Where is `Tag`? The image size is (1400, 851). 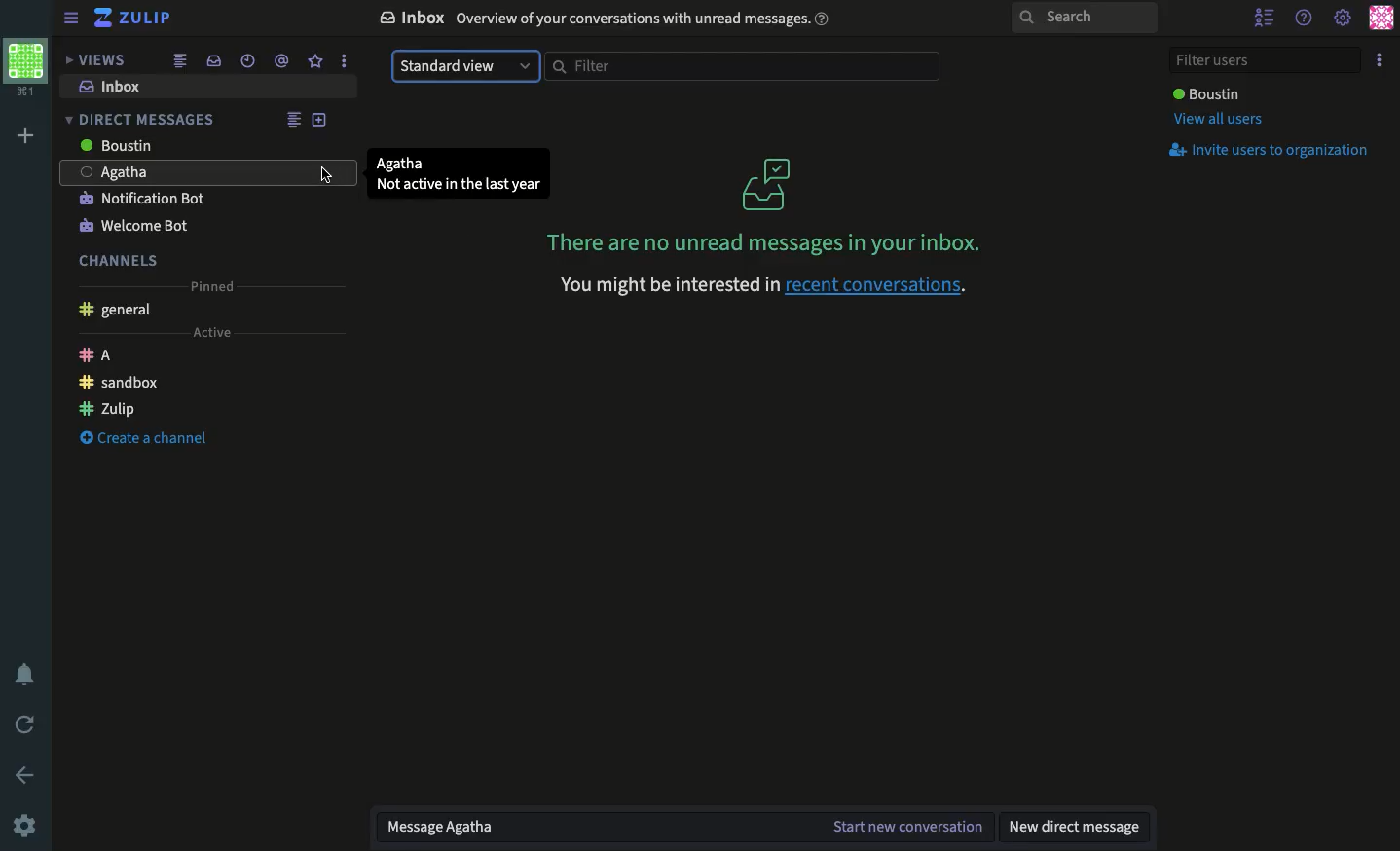 Tag is located at coordinates (284, 58).